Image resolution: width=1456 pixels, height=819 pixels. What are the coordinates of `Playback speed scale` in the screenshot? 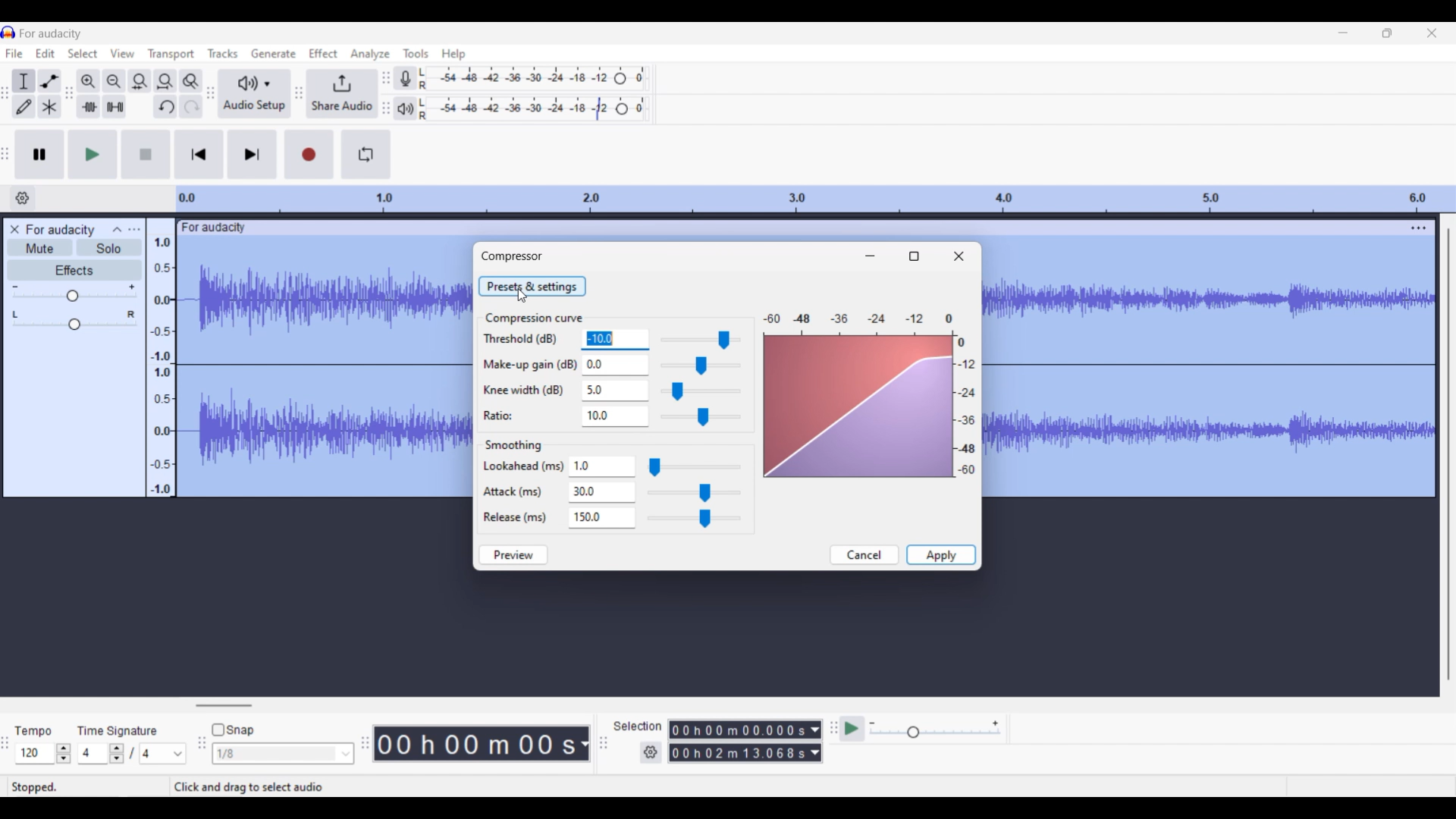 It's located at (934, 730).